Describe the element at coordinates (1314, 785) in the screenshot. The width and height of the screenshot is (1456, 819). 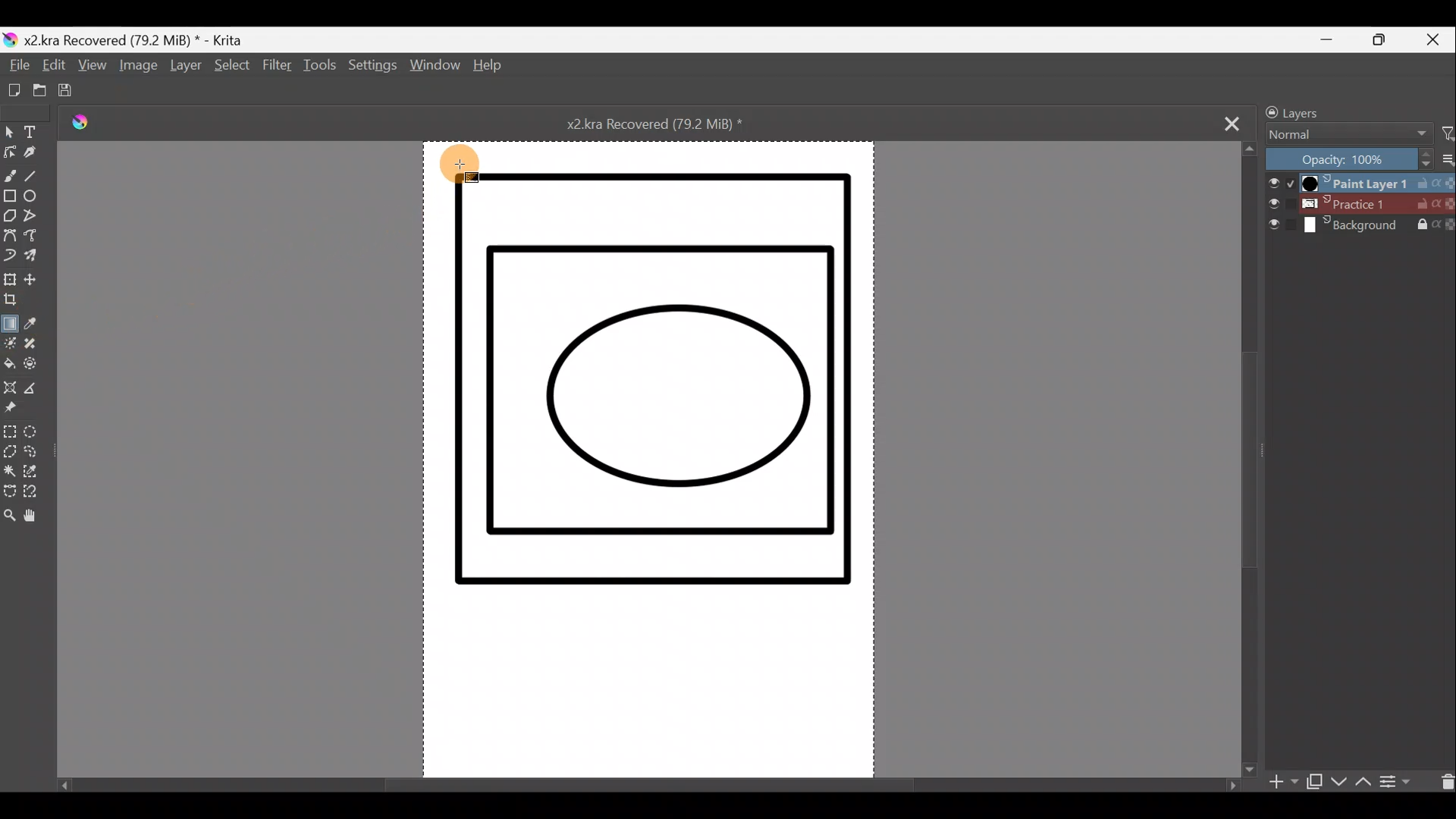
I see `Duplicate layer/mask` at that location.